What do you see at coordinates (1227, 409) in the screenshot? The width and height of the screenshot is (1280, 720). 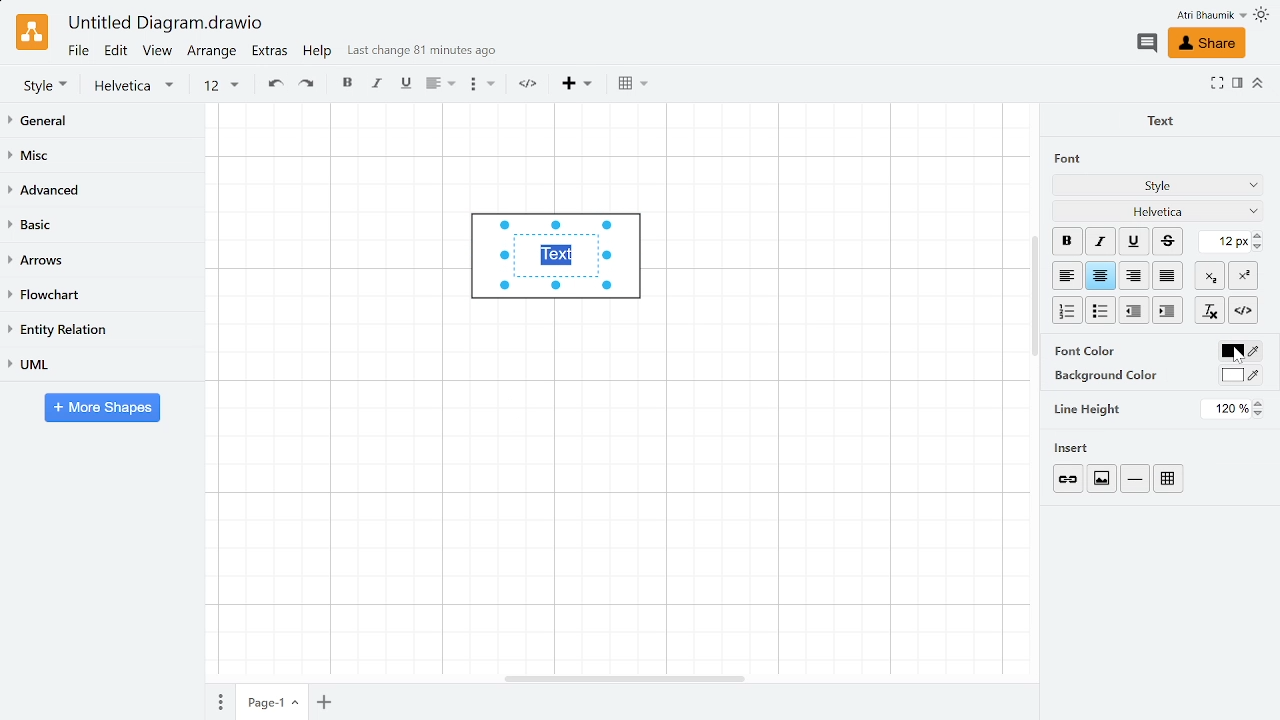 I see `Current line height` at bounding box center [1227, 409].